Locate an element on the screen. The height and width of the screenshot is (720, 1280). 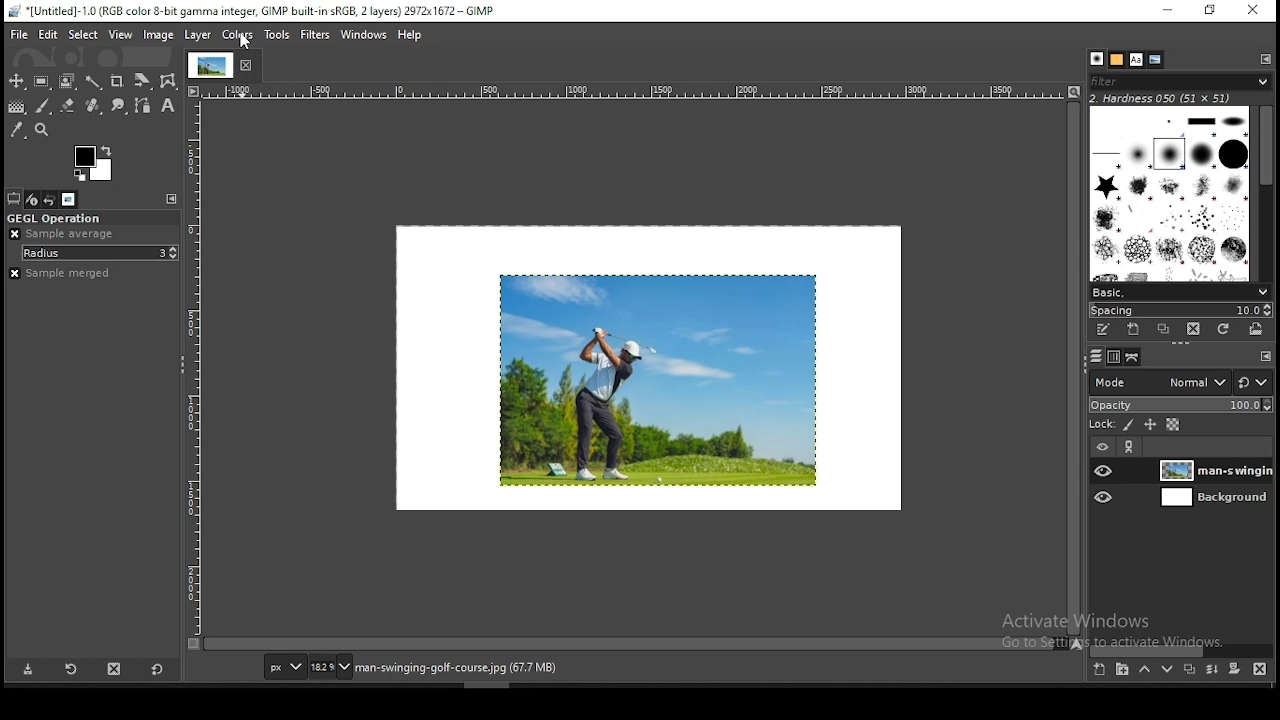
opacity is located at coordinates (1184, 405).